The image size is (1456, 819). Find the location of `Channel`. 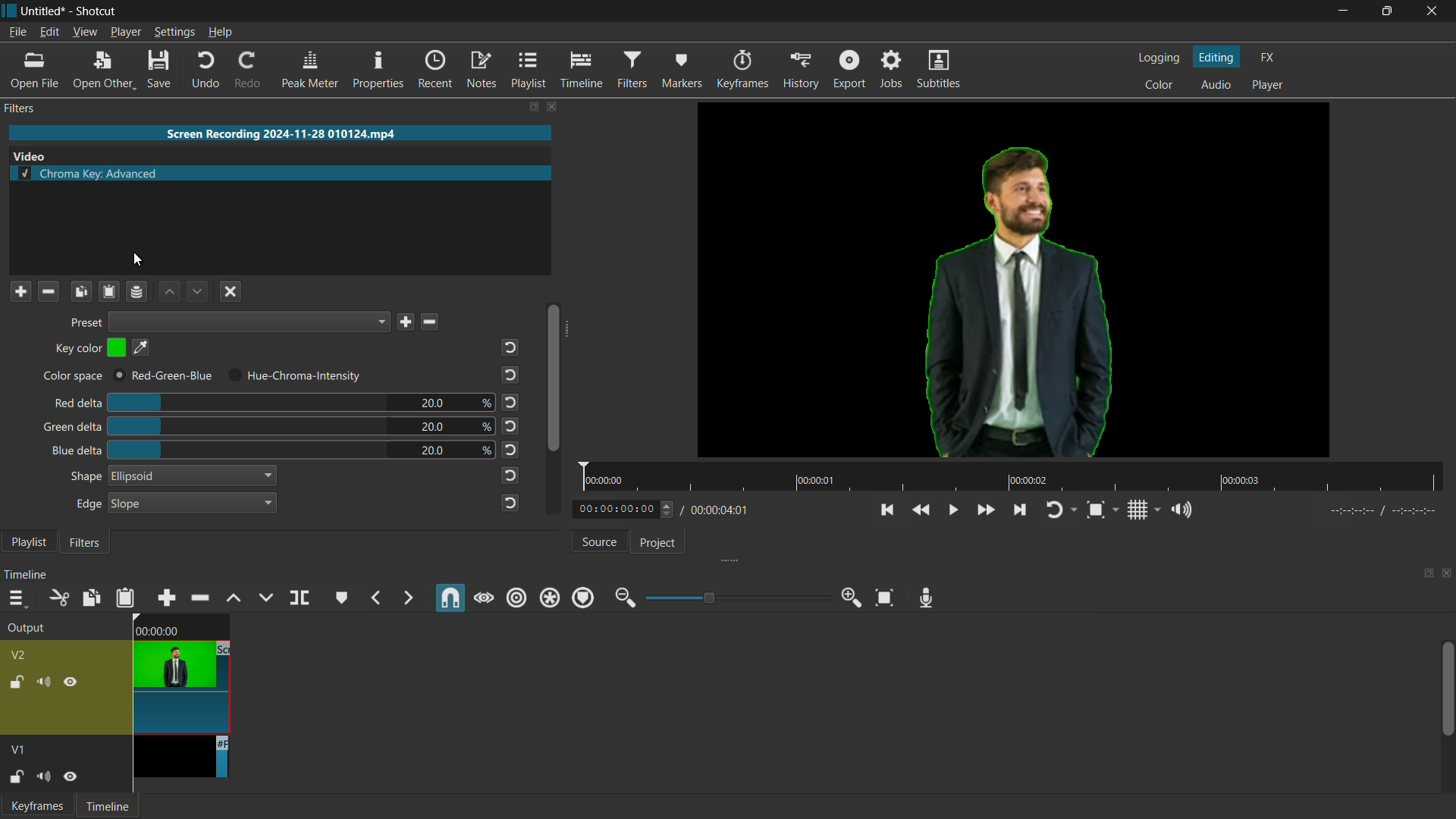

Channel is located at coordinates (138, 292).